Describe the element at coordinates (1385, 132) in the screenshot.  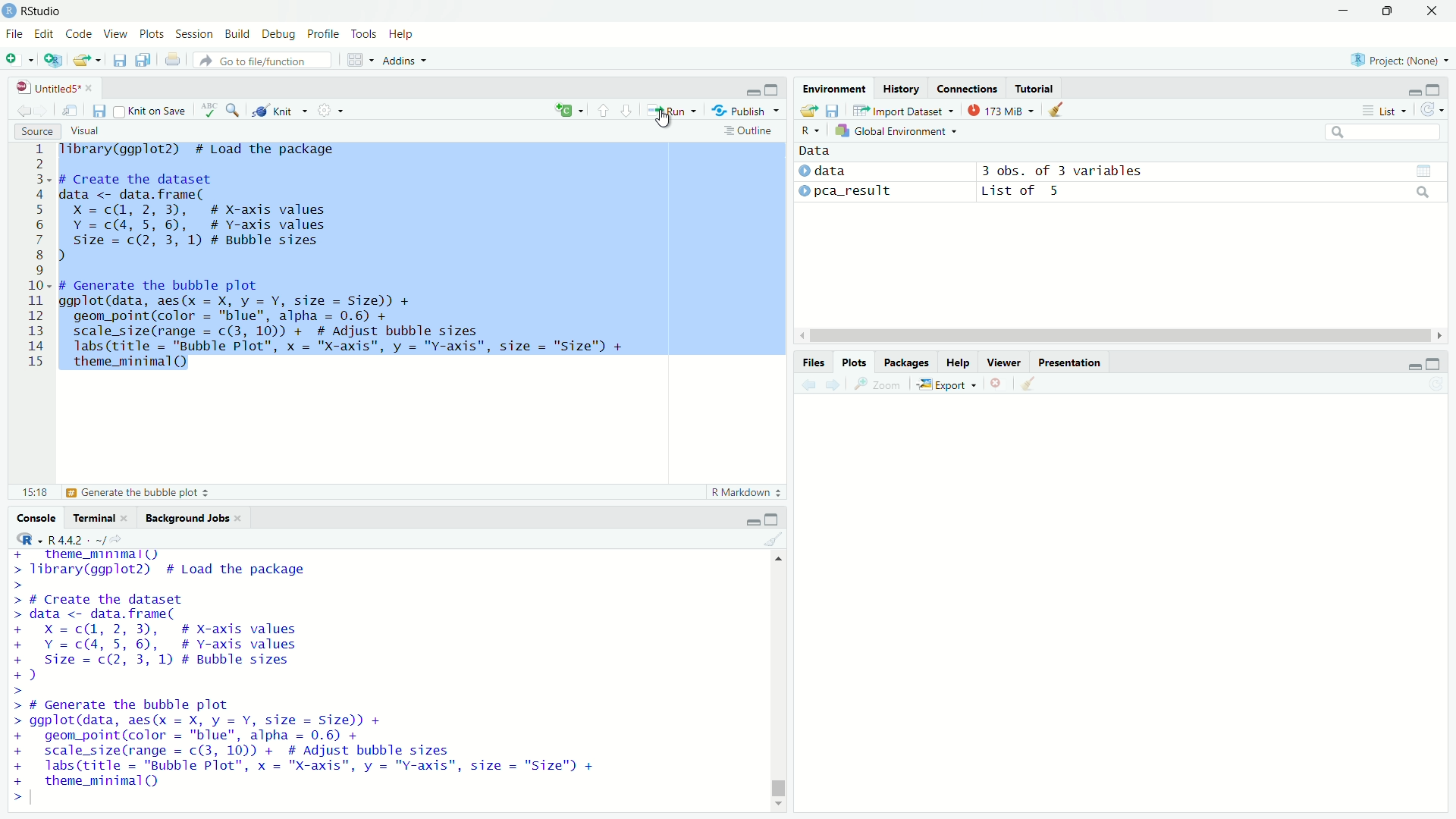
I see `search` at that location.